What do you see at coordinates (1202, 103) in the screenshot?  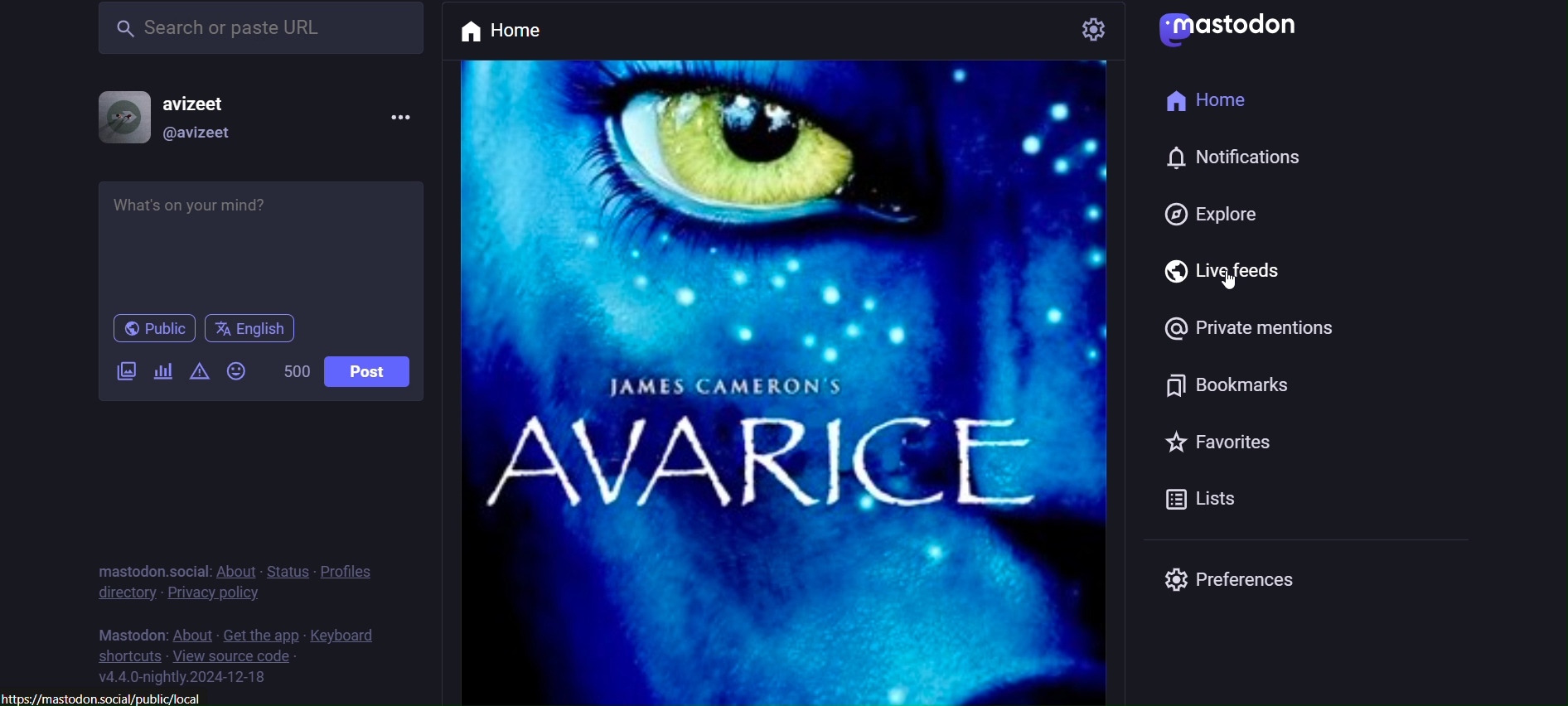 I see `home` at bounding box center [1202, 103].